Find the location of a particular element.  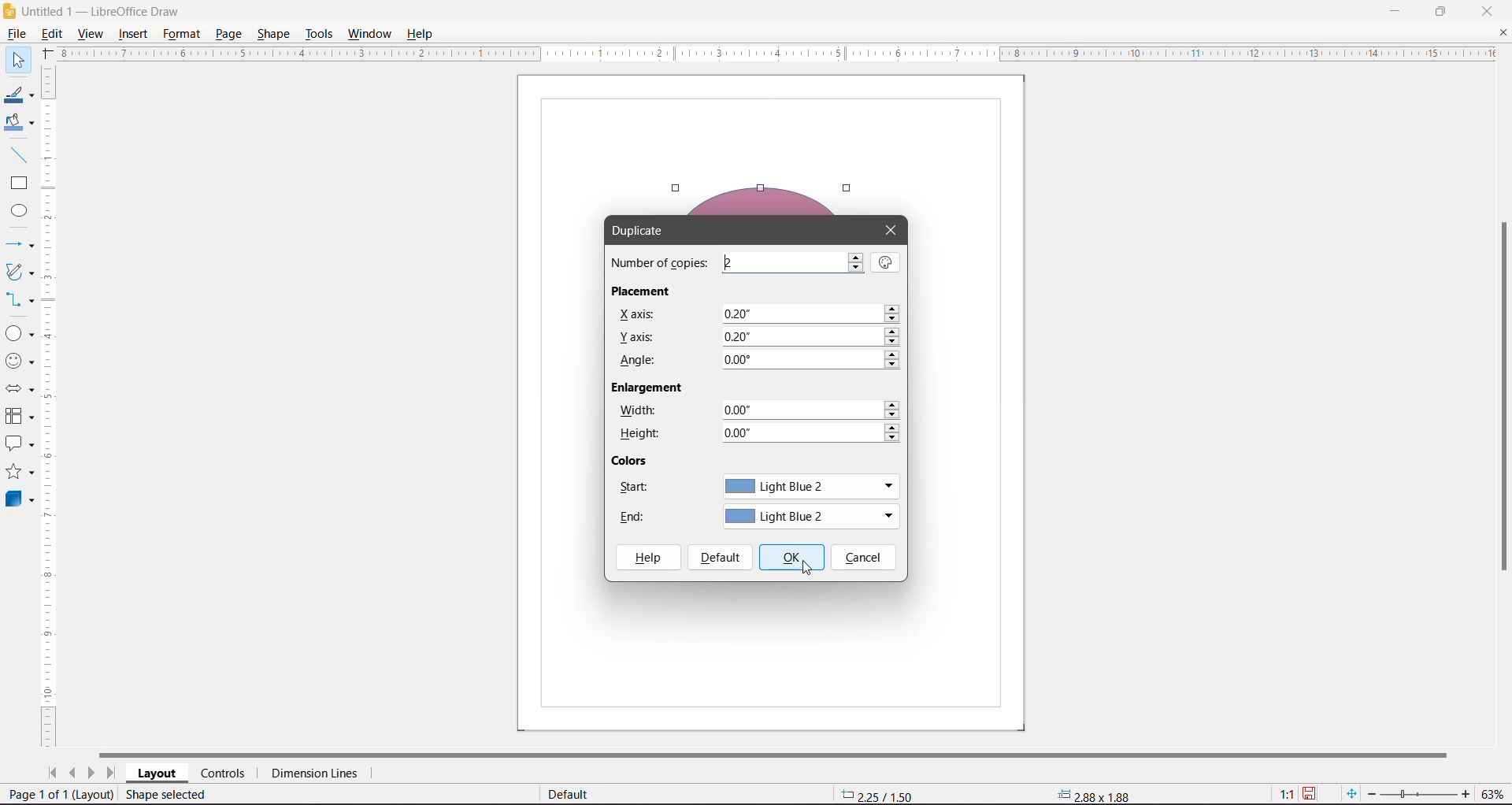

Set Y axis positioning is located at coordinates (810, 336).